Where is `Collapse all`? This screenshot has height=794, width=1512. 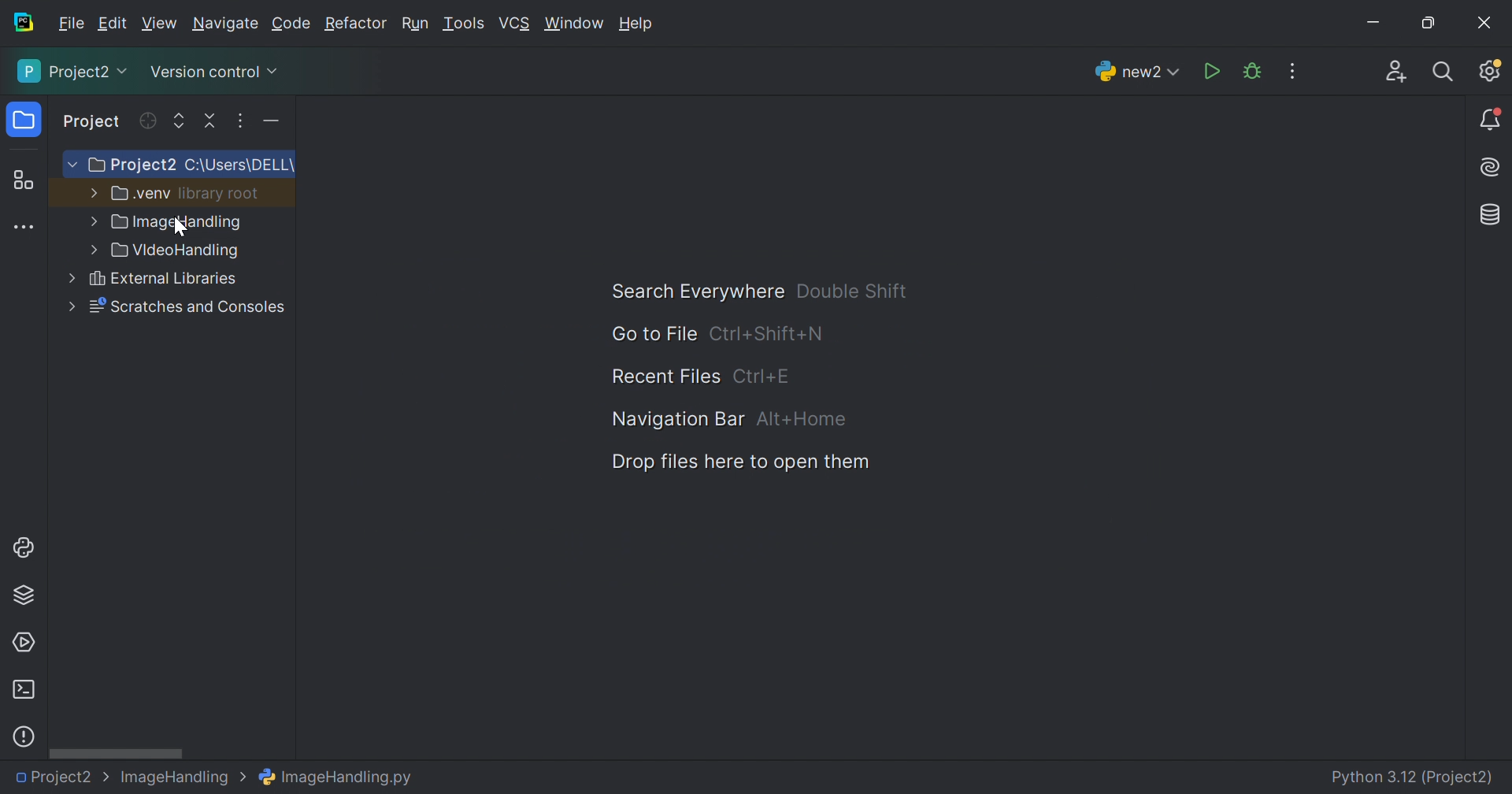 Collapse all is located at coordinates (212, 121).